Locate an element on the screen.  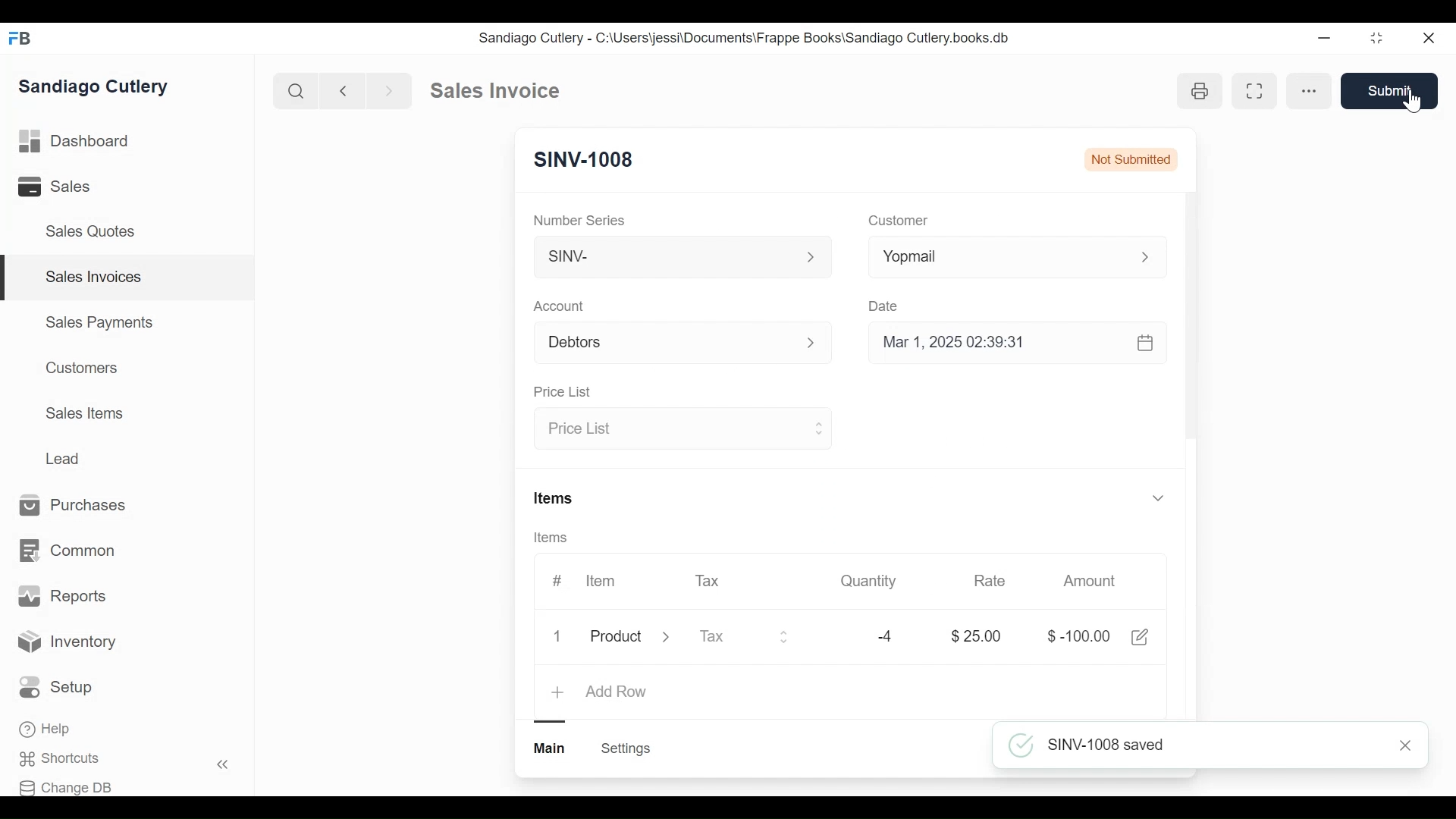
More is located at coordinates (1311, 89).